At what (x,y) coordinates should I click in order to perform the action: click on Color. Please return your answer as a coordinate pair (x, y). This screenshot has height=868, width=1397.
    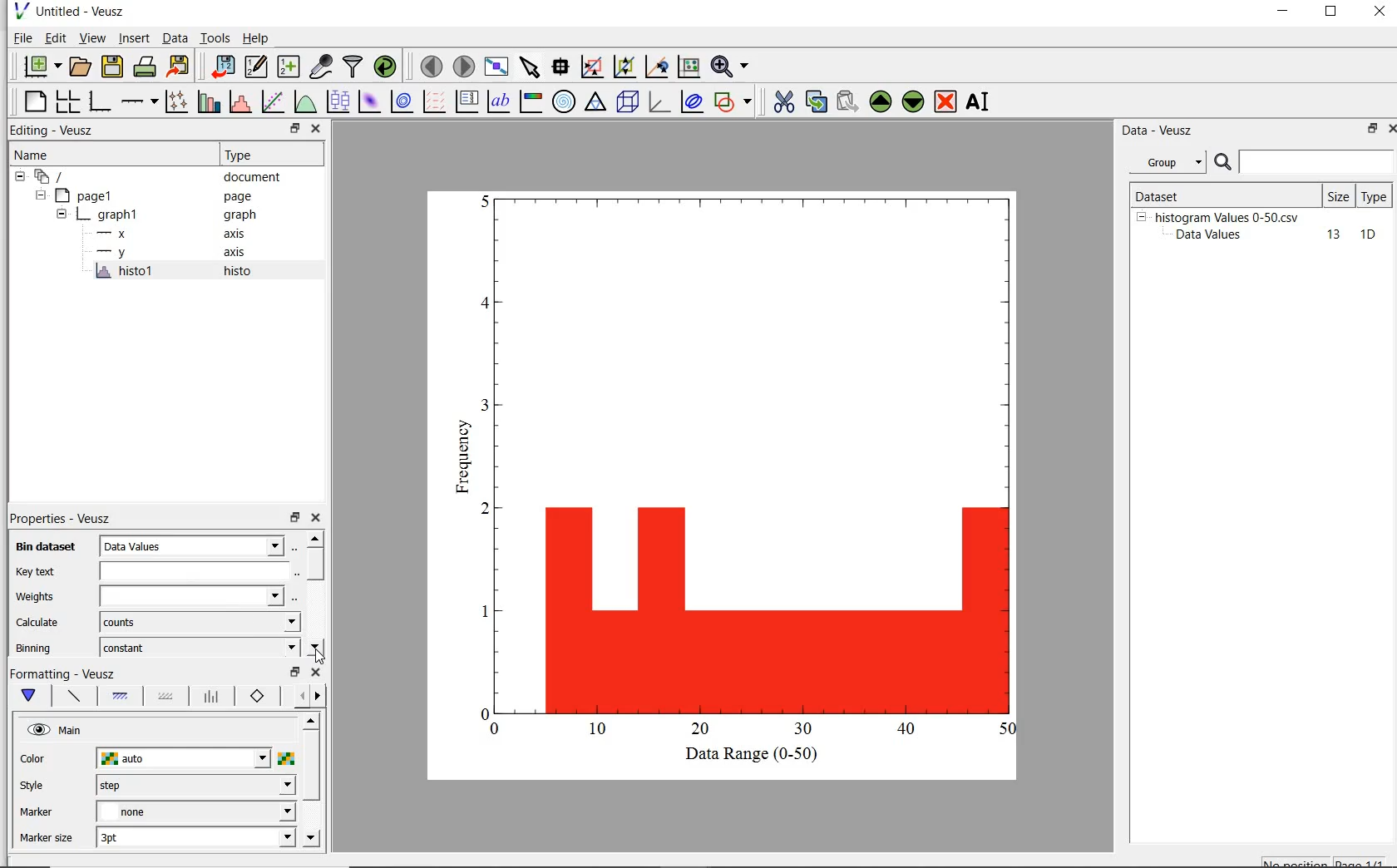
    Looking at the image, I should click on (34, 760).